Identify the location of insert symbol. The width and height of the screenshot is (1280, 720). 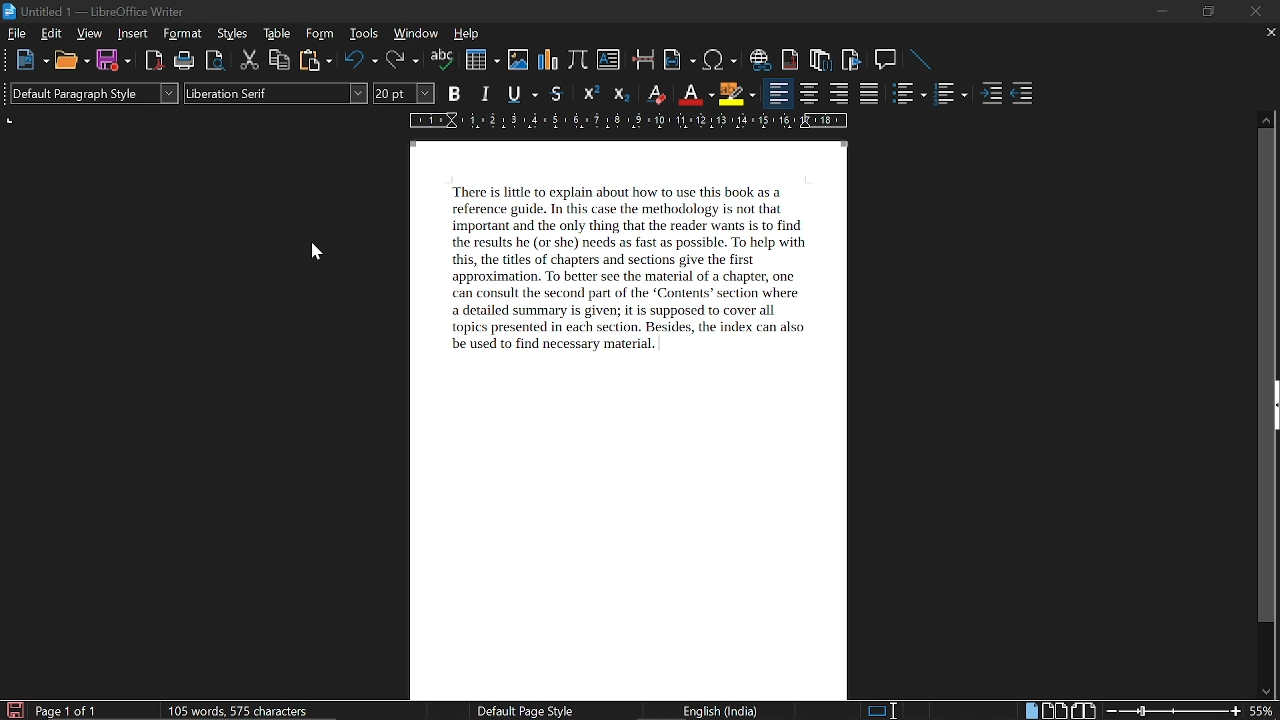
(722, 60).